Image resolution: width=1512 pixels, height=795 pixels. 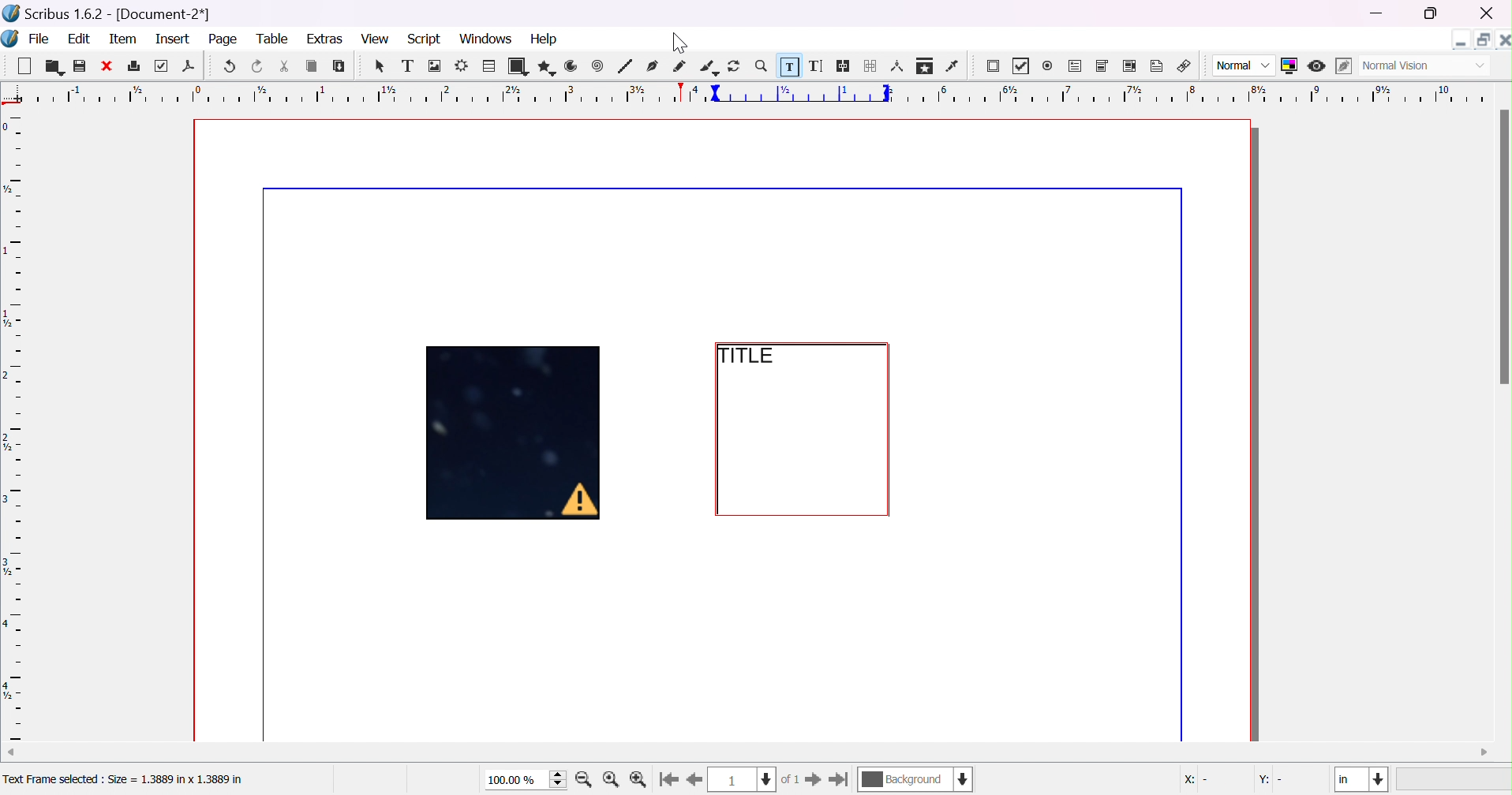 I want to click on normal vision, so click(x=1424, y=66).